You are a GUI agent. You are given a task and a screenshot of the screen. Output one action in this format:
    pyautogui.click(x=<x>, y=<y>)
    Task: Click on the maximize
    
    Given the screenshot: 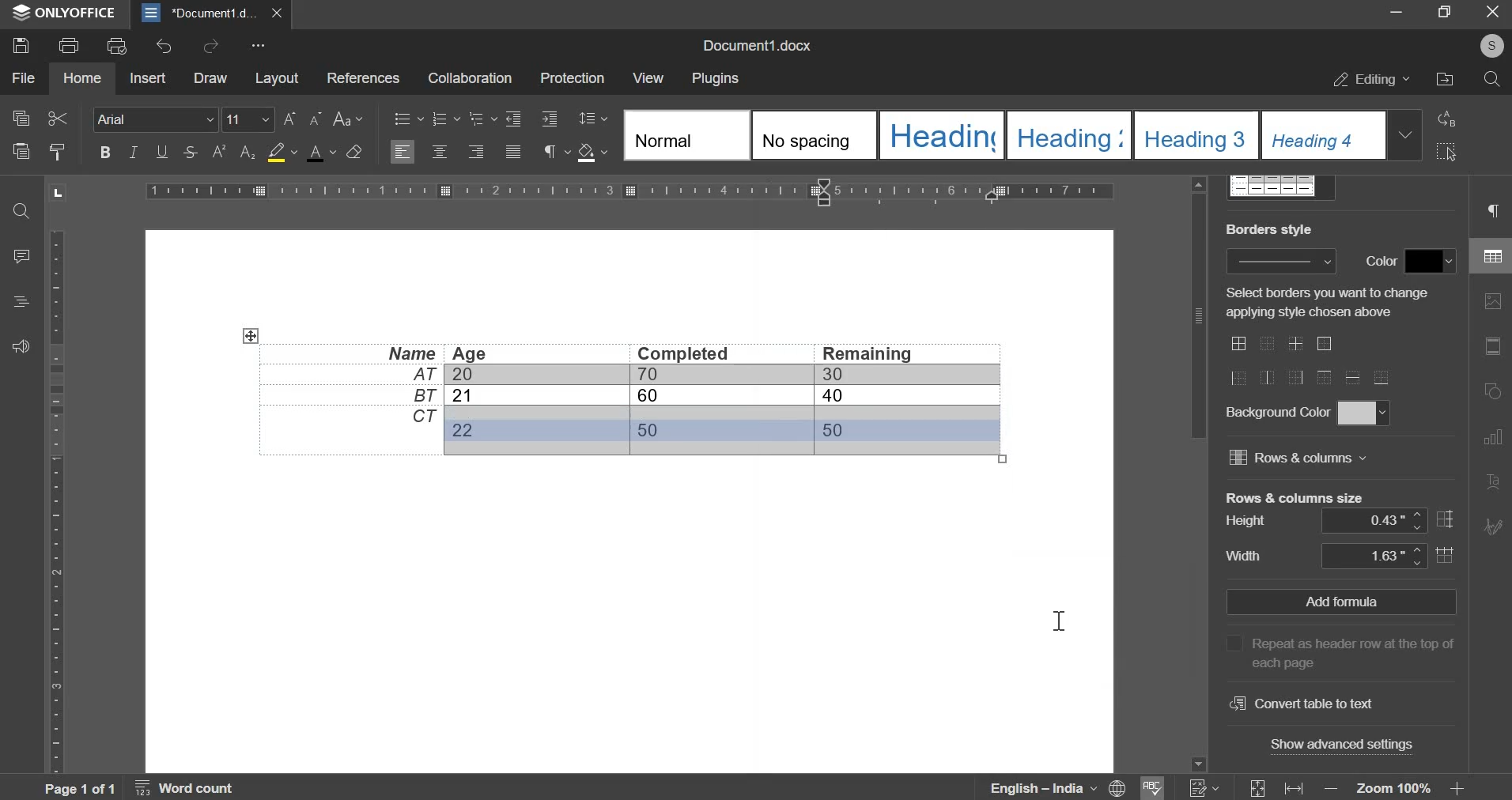 What is the action you would take?
    pyautogui.click(x=1447, y=11)
    